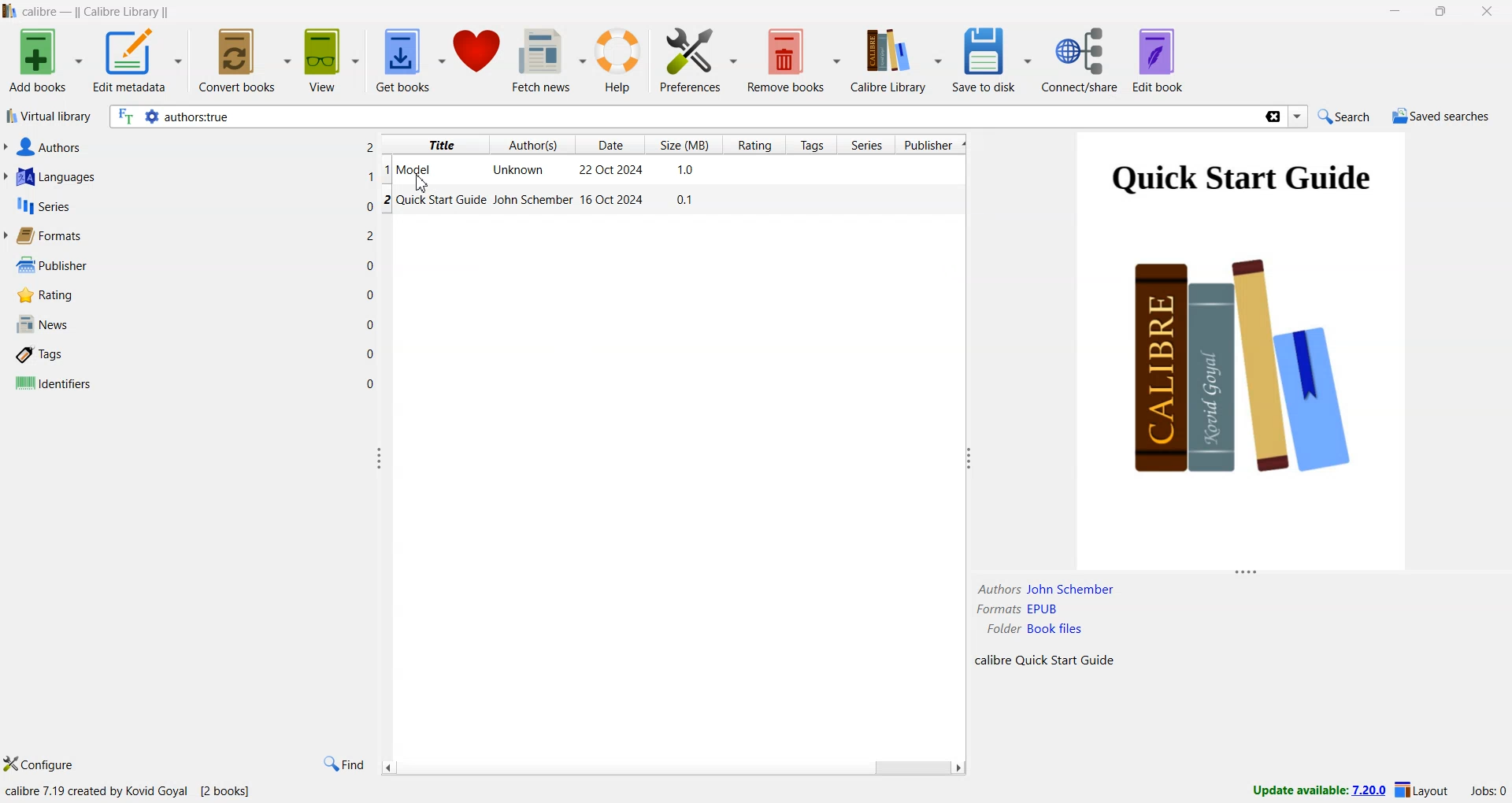 The width and height of the screenshot is (1512, 803). Describe the element at coordinates (1240, 361) in the screenshot. I see `book details window` at that location.